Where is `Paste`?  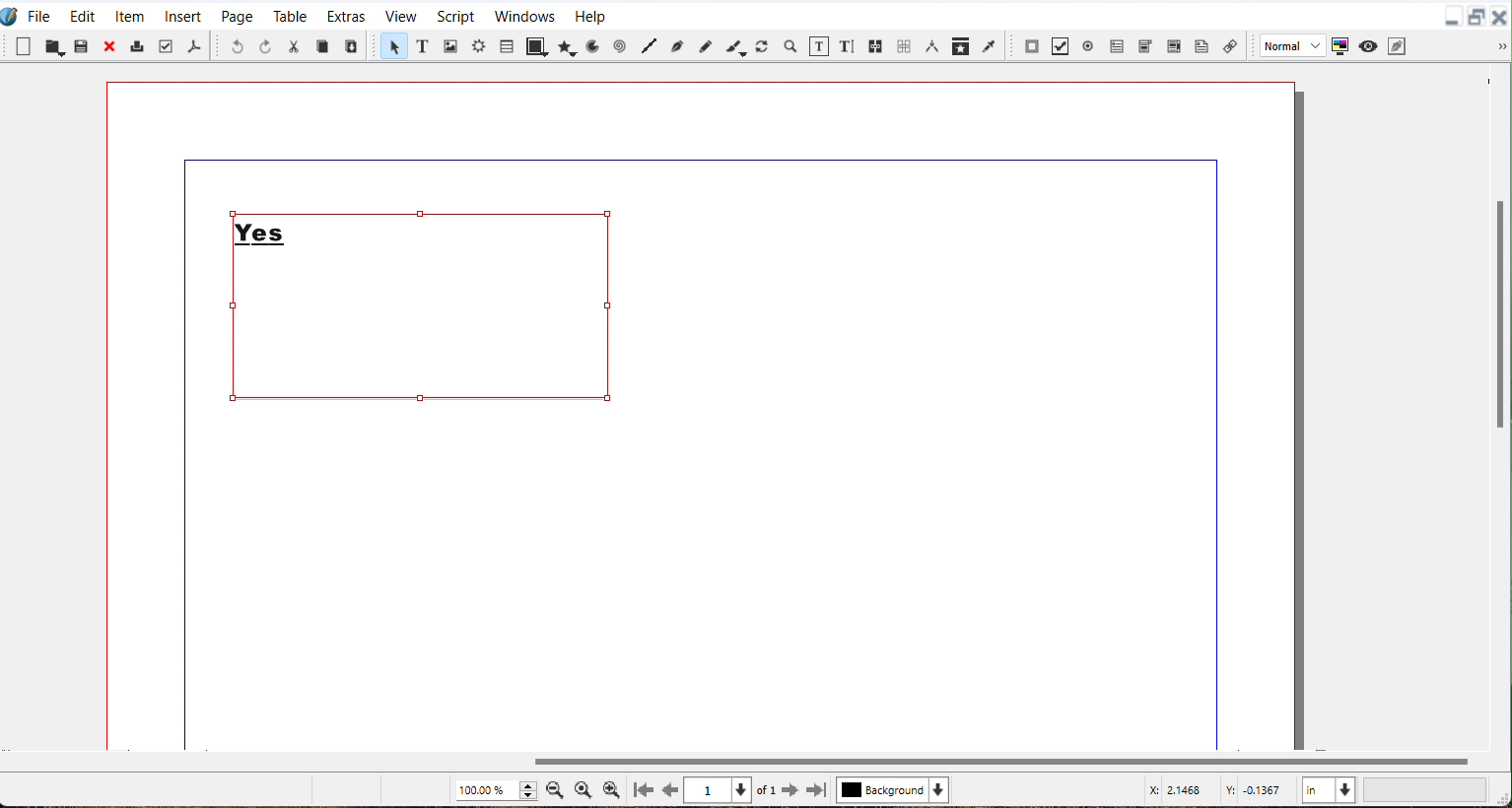 Paste is located at coordinates (82, 46).